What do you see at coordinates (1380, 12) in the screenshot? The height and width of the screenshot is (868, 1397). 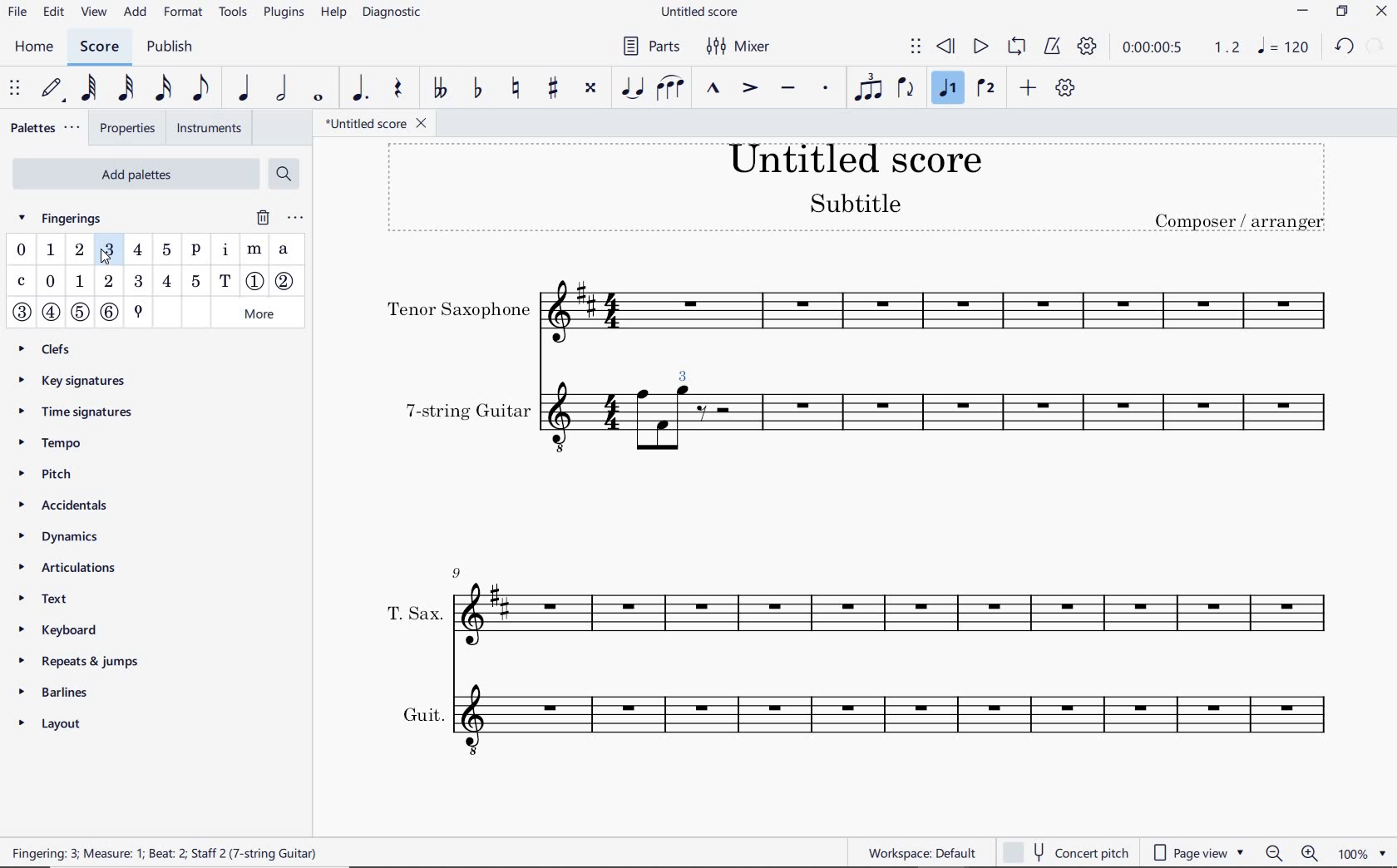 I see `CLOSE` at bounding box center [1380, 12].